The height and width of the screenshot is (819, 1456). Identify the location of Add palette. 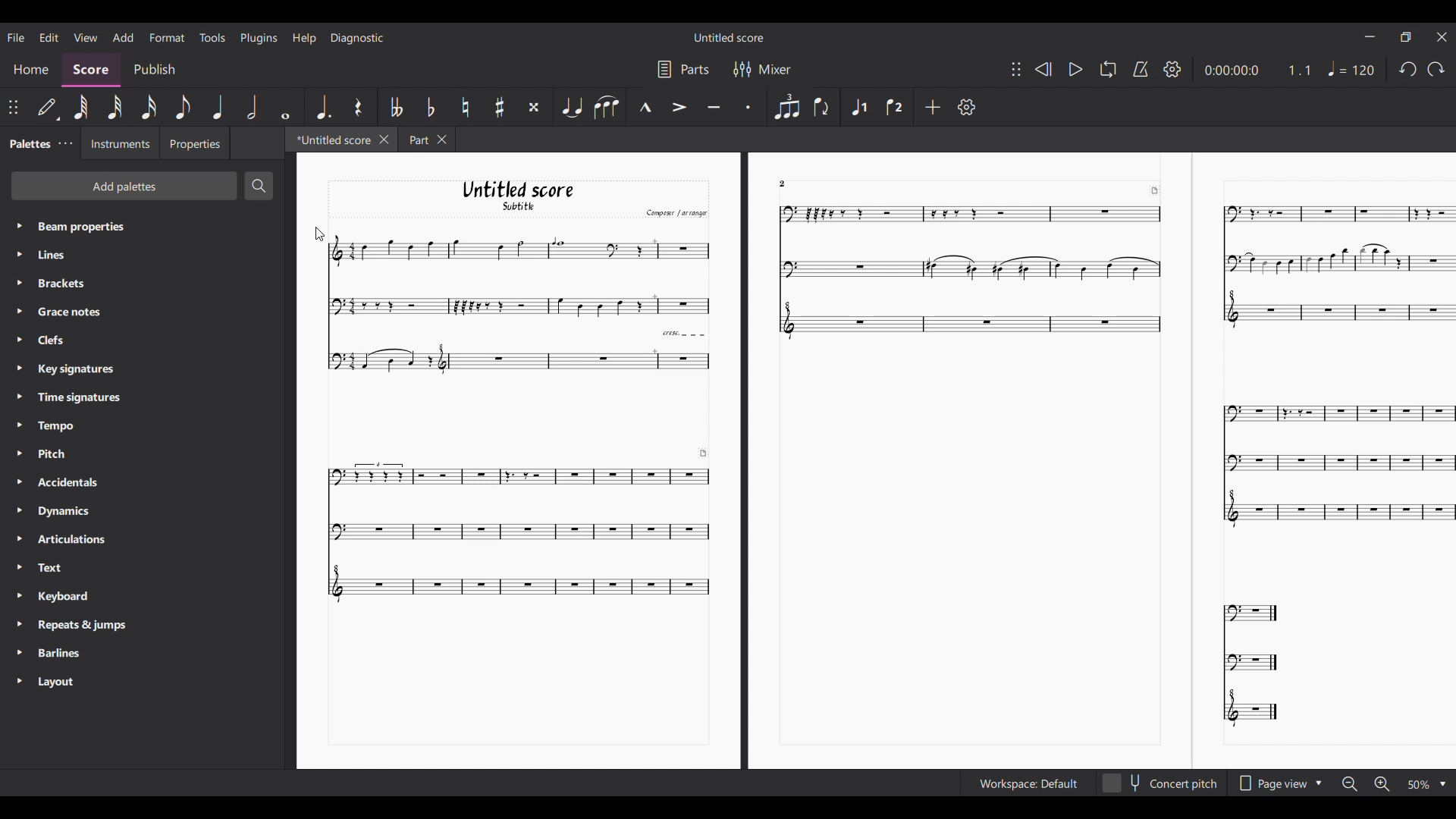
(124, 185).